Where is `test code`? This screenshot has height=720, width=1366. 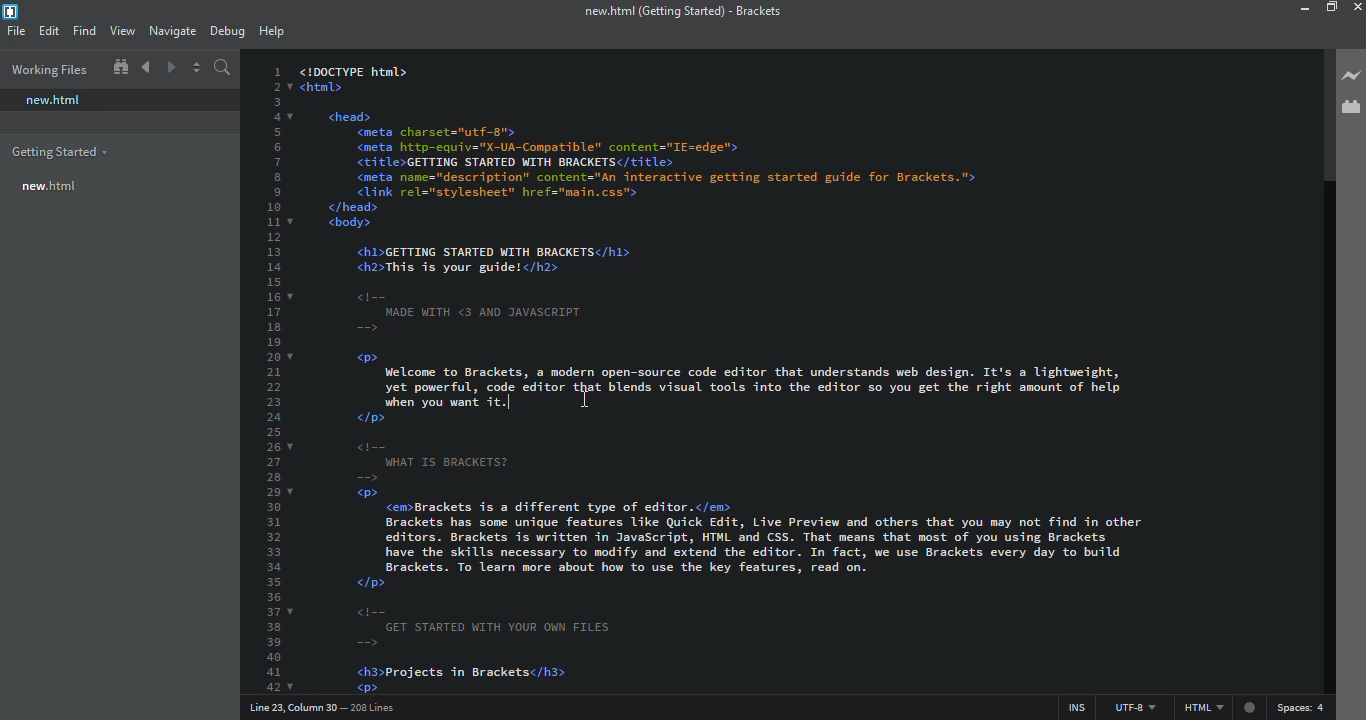 test code is located at coordinates (754, 567).